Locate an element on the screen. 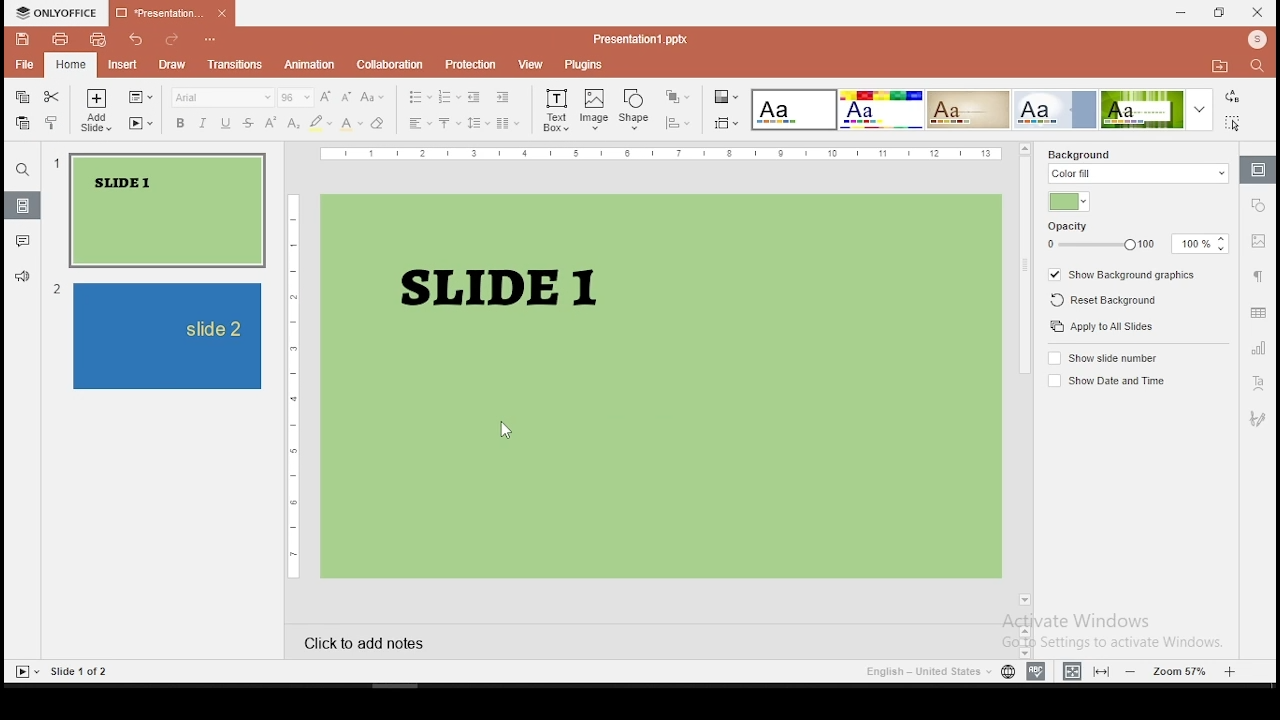  fill color is located at coordinates (1068, 202).